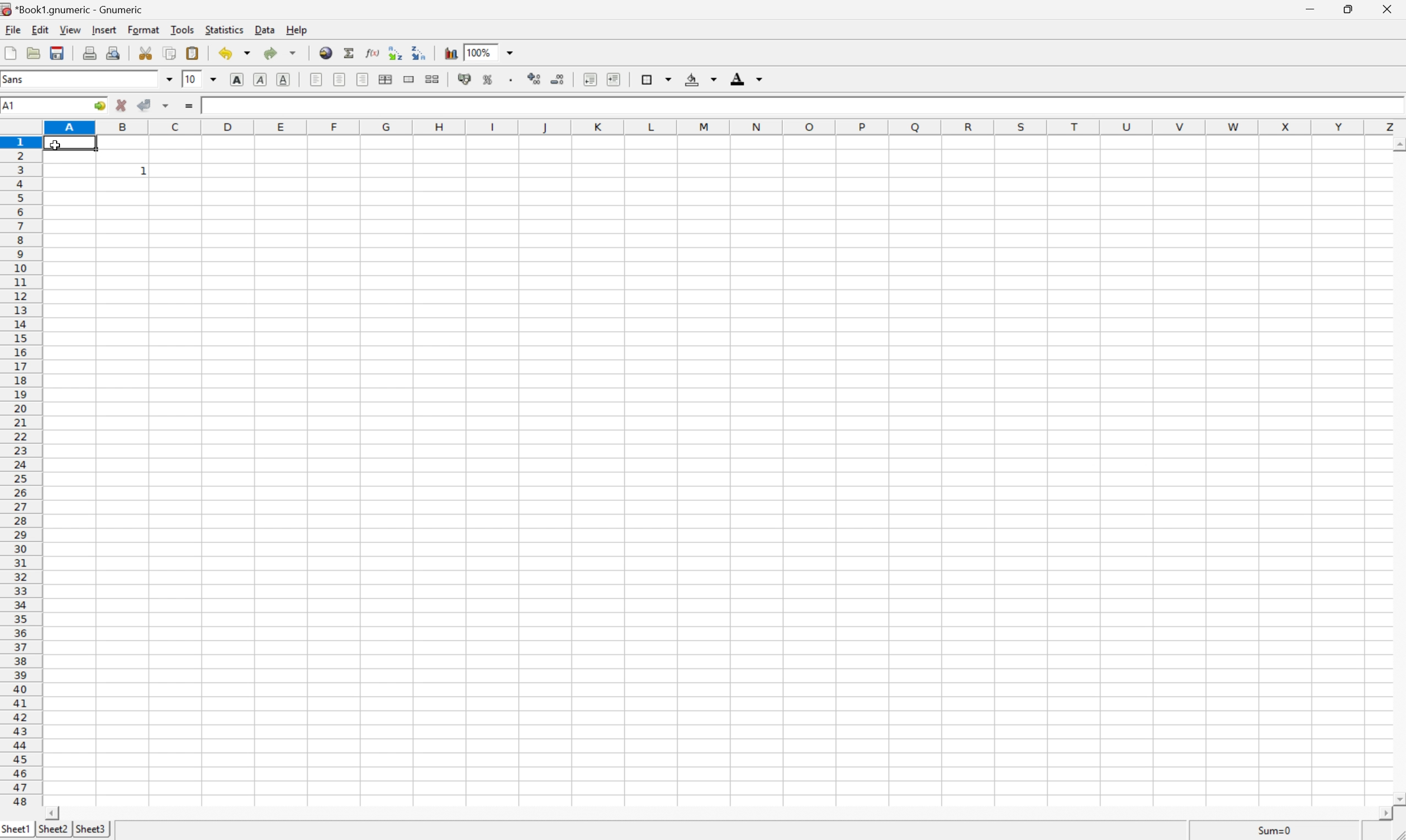 This screenshot has height=840, width=1406. I want to click on cursor, so click(55, 145).